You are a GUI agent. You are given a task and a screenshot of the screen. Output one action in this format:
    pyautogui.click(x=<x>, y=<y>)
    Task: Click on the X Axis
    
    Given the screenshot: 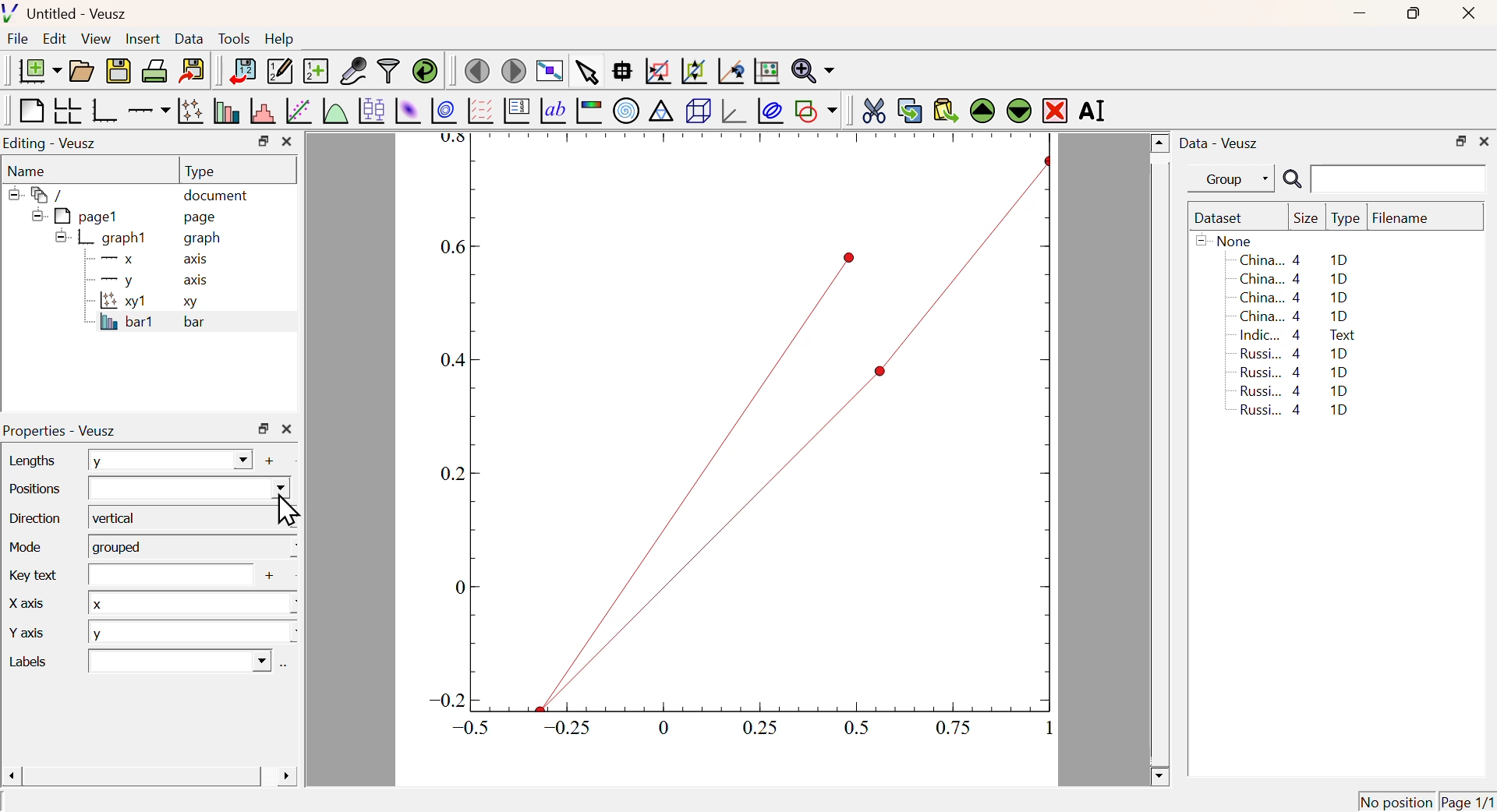 What is the action you would take?
    pyautogui.click(x=39, y=607)
    